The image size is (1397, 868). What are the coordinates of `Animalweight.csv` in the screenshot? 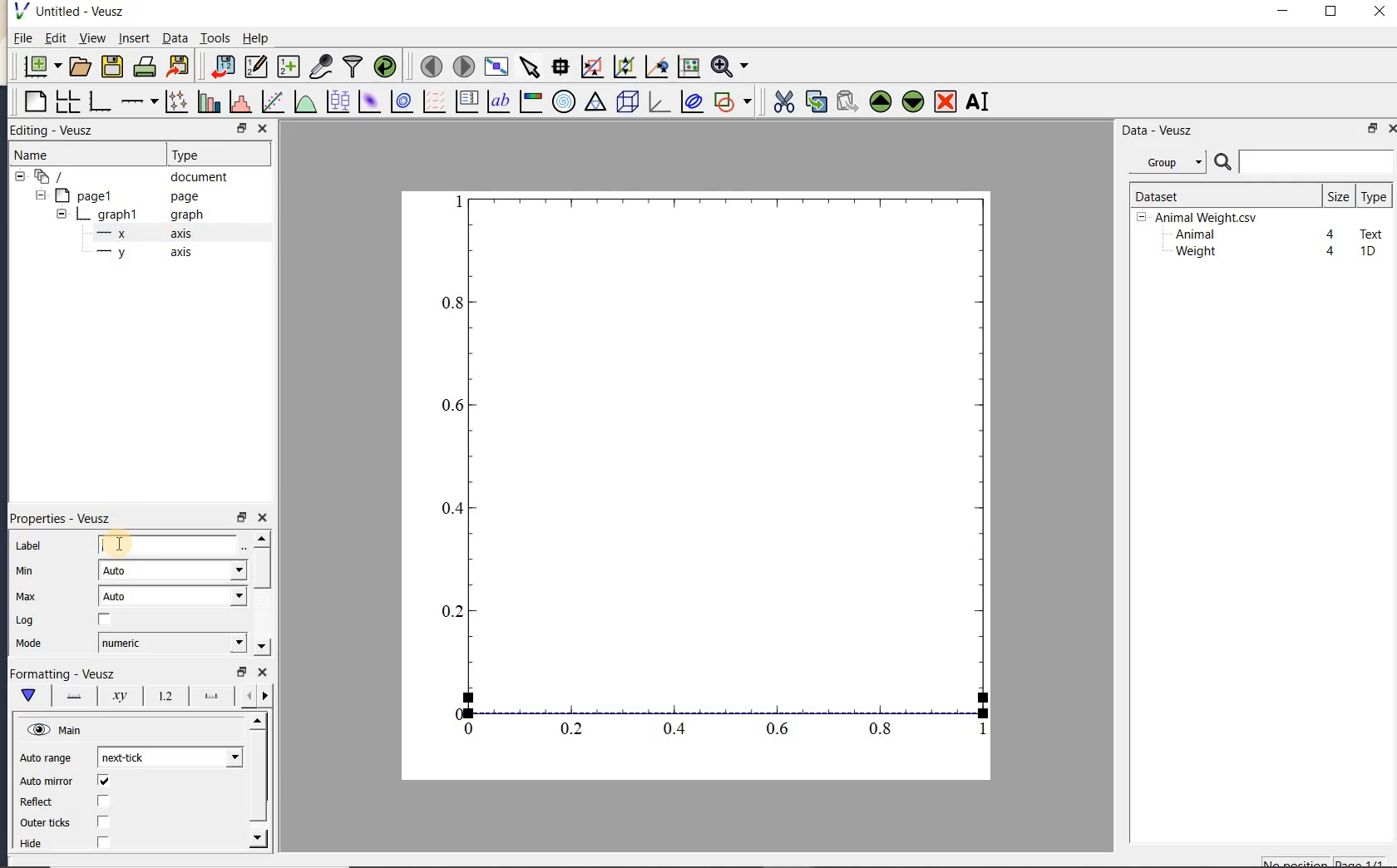 It's located at (1201, 218).